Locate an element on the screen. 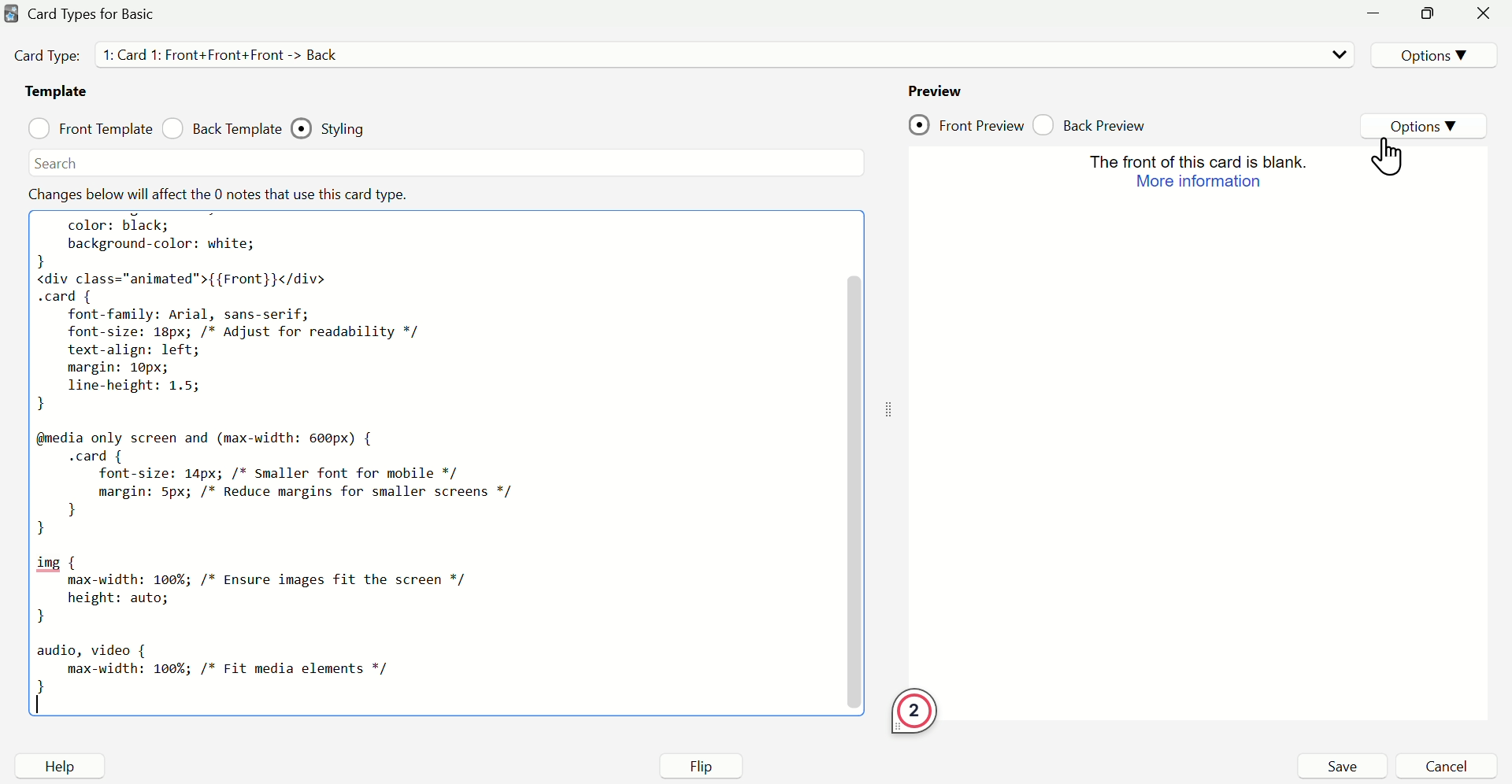 Image resolution: width=1512 pixels, height=784 pixels. Options is located at coordinates (1426, 125).